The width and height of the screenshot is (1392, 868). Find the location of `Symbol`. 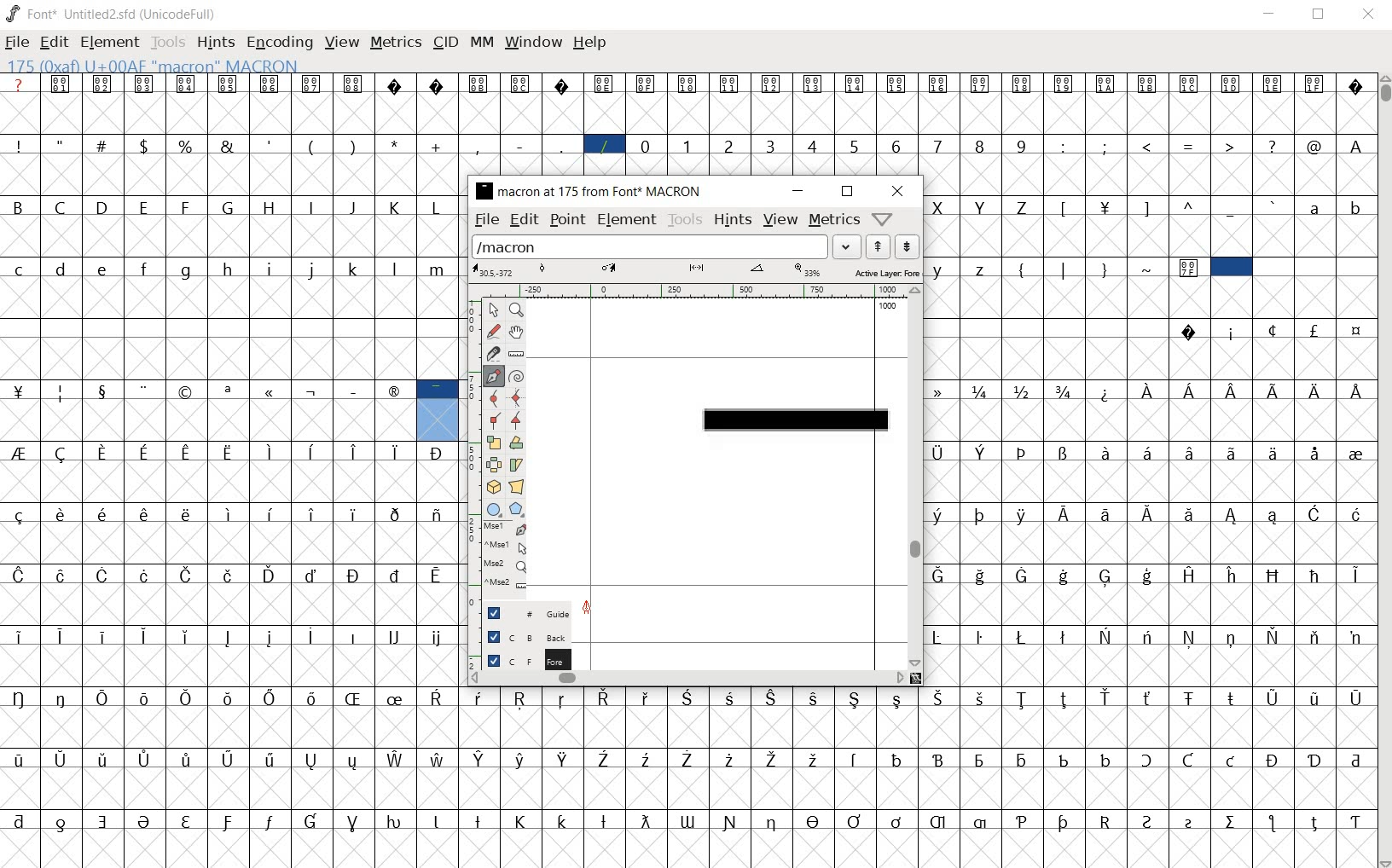

Symbol is located at coordinates (983, 514).